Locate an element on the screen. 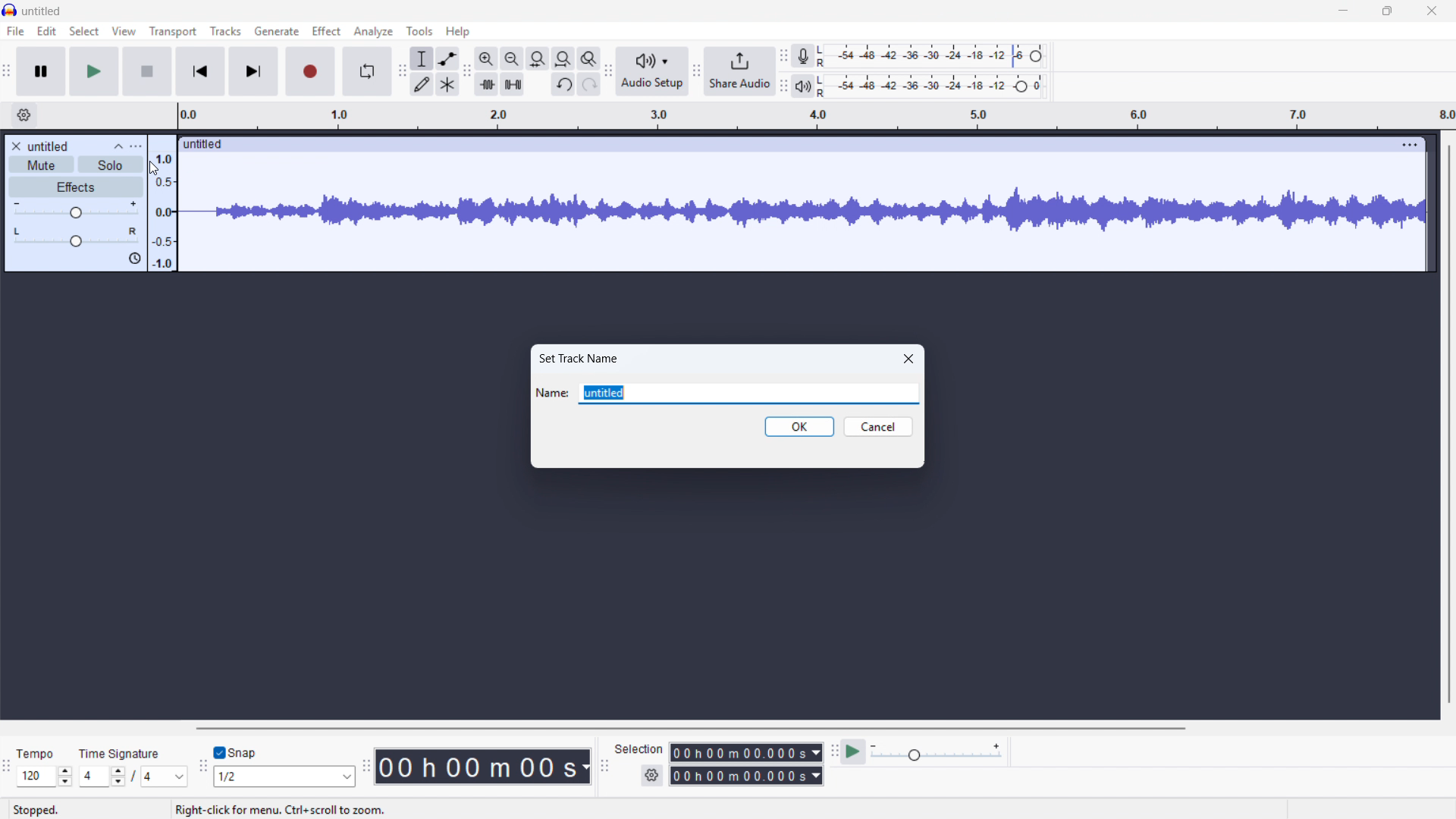  Time toolbar  is located at coordinates (366, 768).